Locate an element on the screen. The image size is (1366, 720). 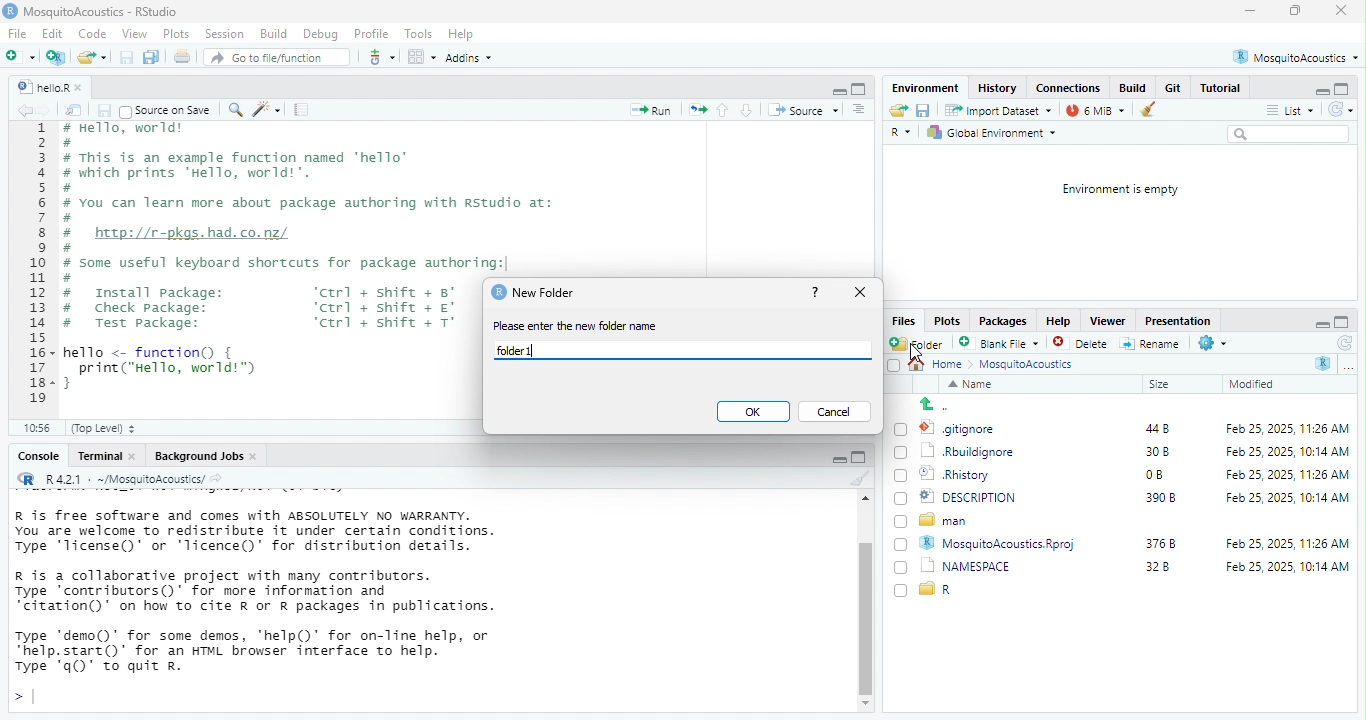
ok is located at coordinates (752, 412).